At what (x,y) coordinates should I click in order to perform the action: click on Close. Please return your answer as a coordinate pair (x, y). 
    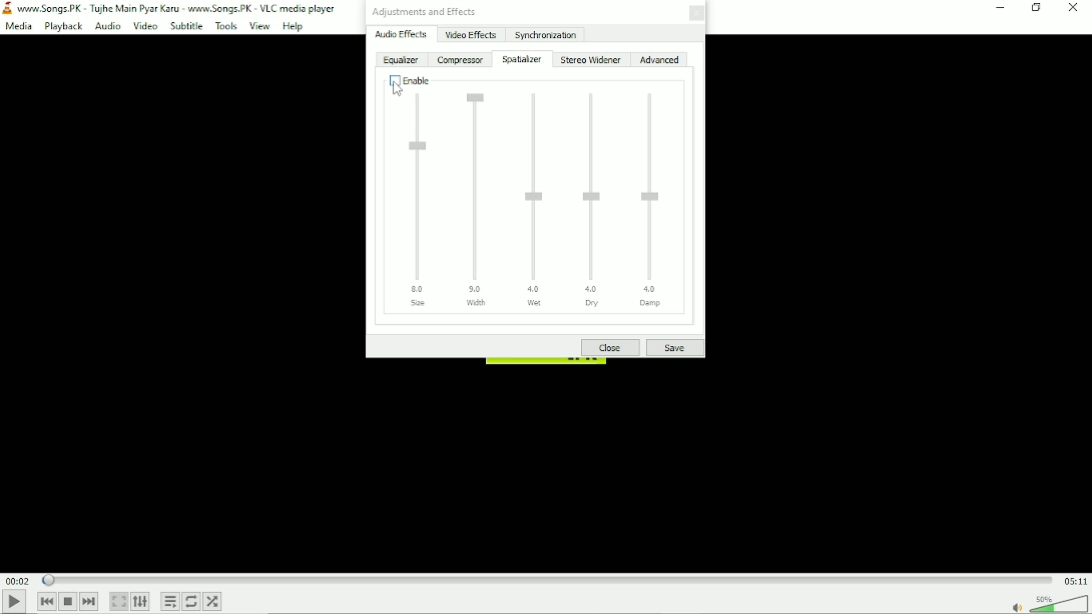
    Looking at the image, I should click on (1074, 7).